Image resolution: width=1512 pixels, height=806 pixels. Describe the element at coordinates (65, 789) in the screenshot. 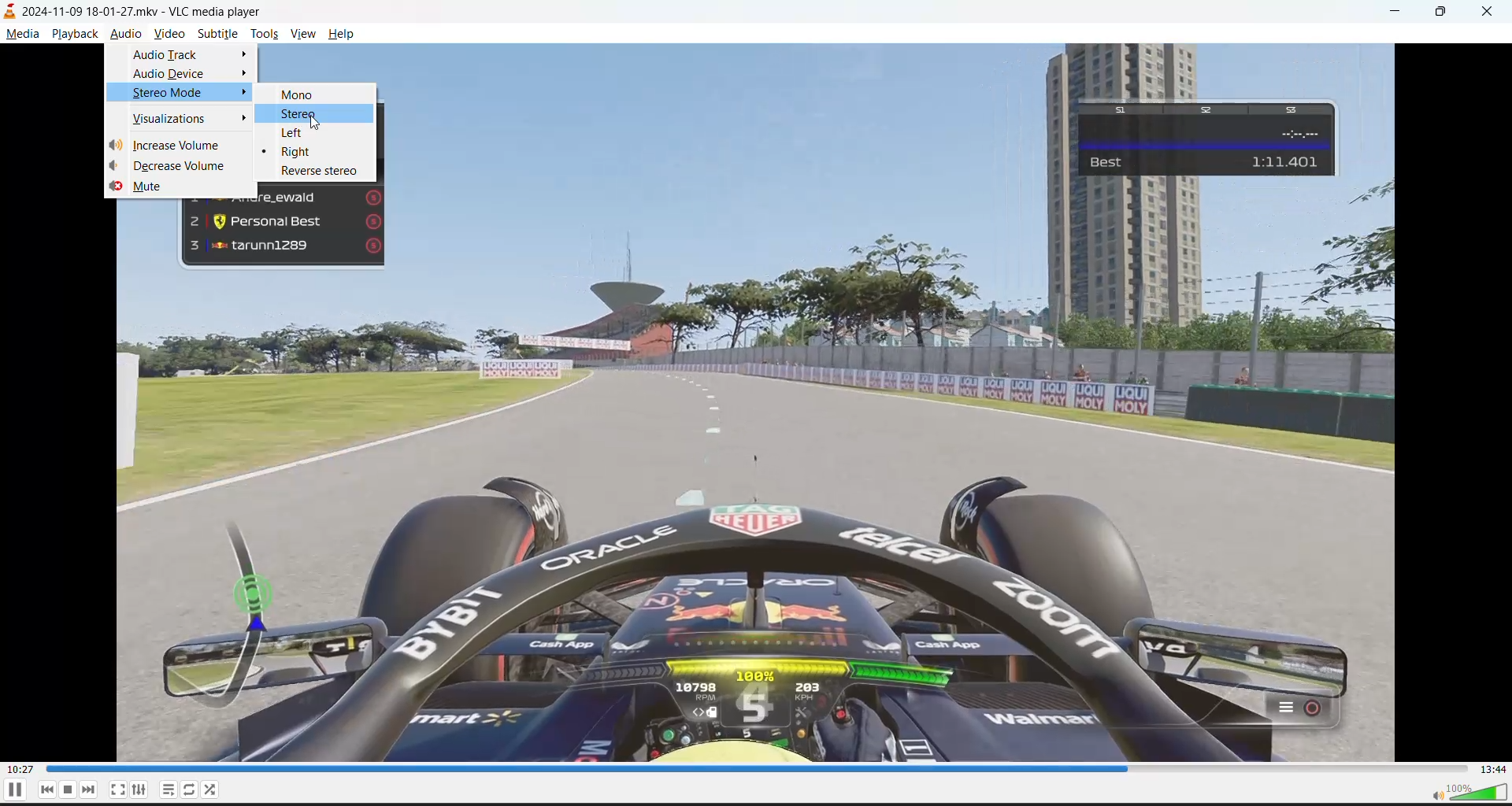

I see `stop` at that location.